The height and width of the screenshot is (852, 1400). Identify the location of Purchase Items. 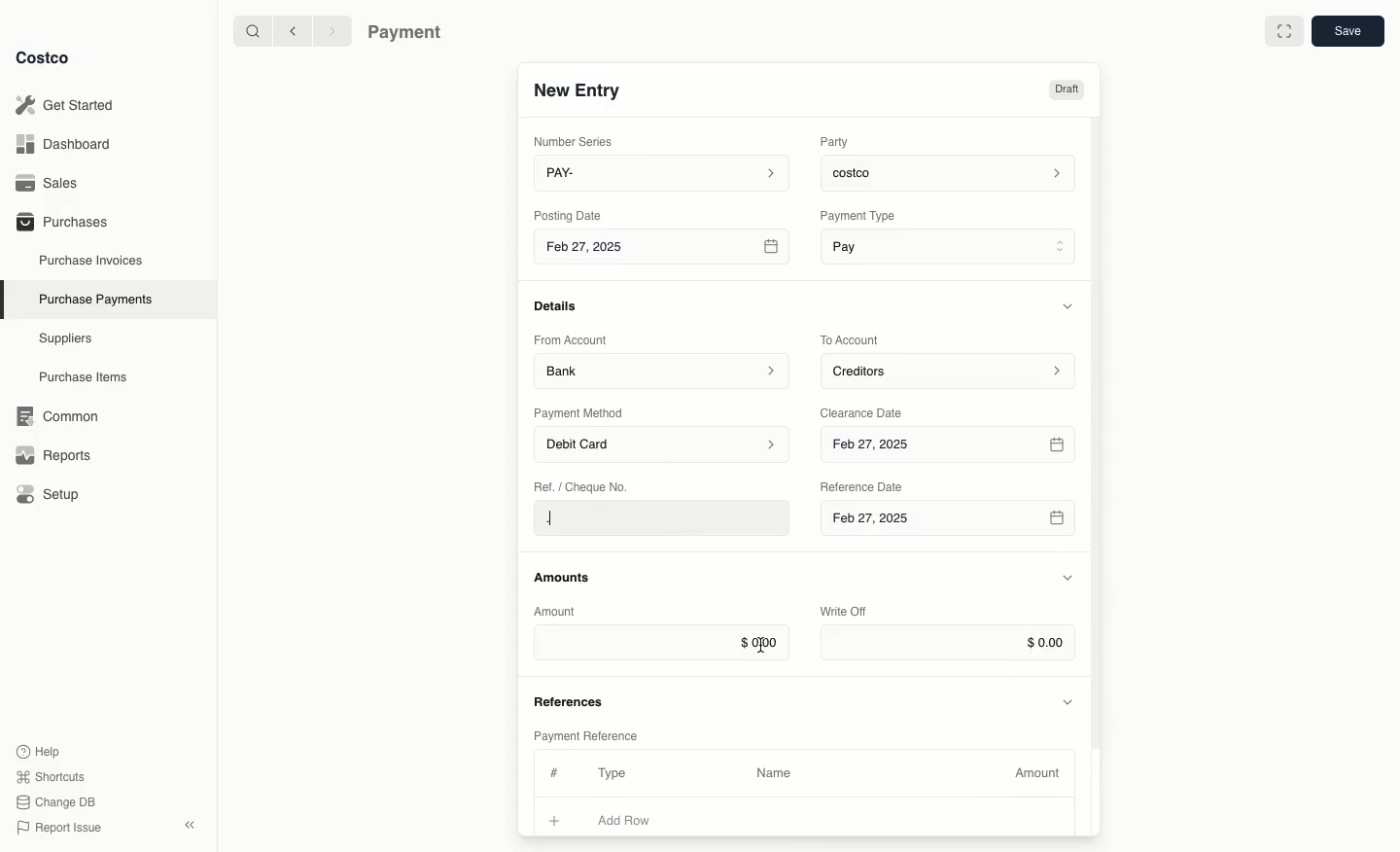
(86, 377).